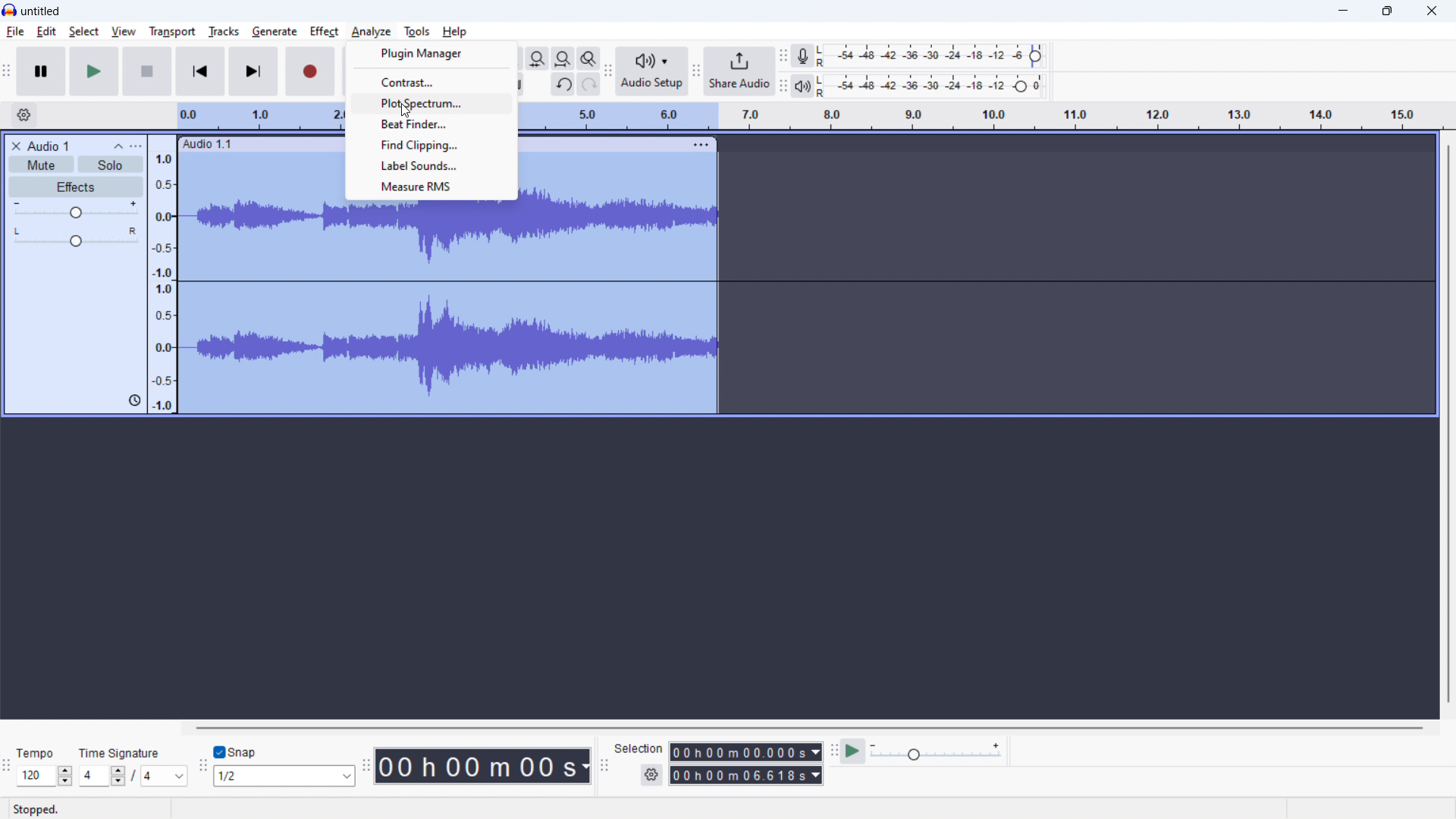 The image size is (1456, 819). What do you see at coordinates (126, 752) in the screenshot?
I see `Time signature` at bounding box center [126, 752].